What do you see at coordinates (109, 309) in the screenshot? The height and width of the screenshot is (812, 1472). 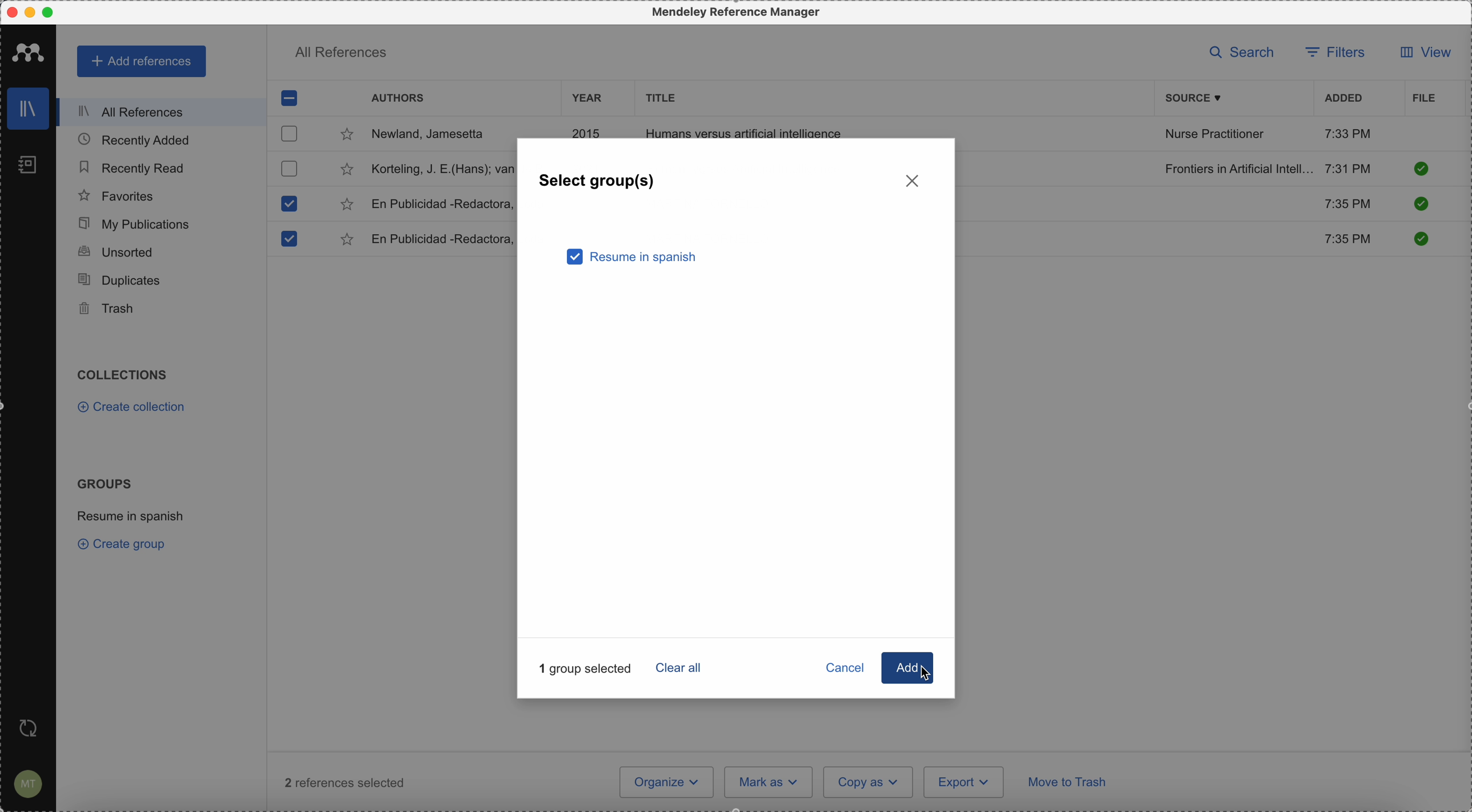 I see `trash` at bounding box center [109, 309].